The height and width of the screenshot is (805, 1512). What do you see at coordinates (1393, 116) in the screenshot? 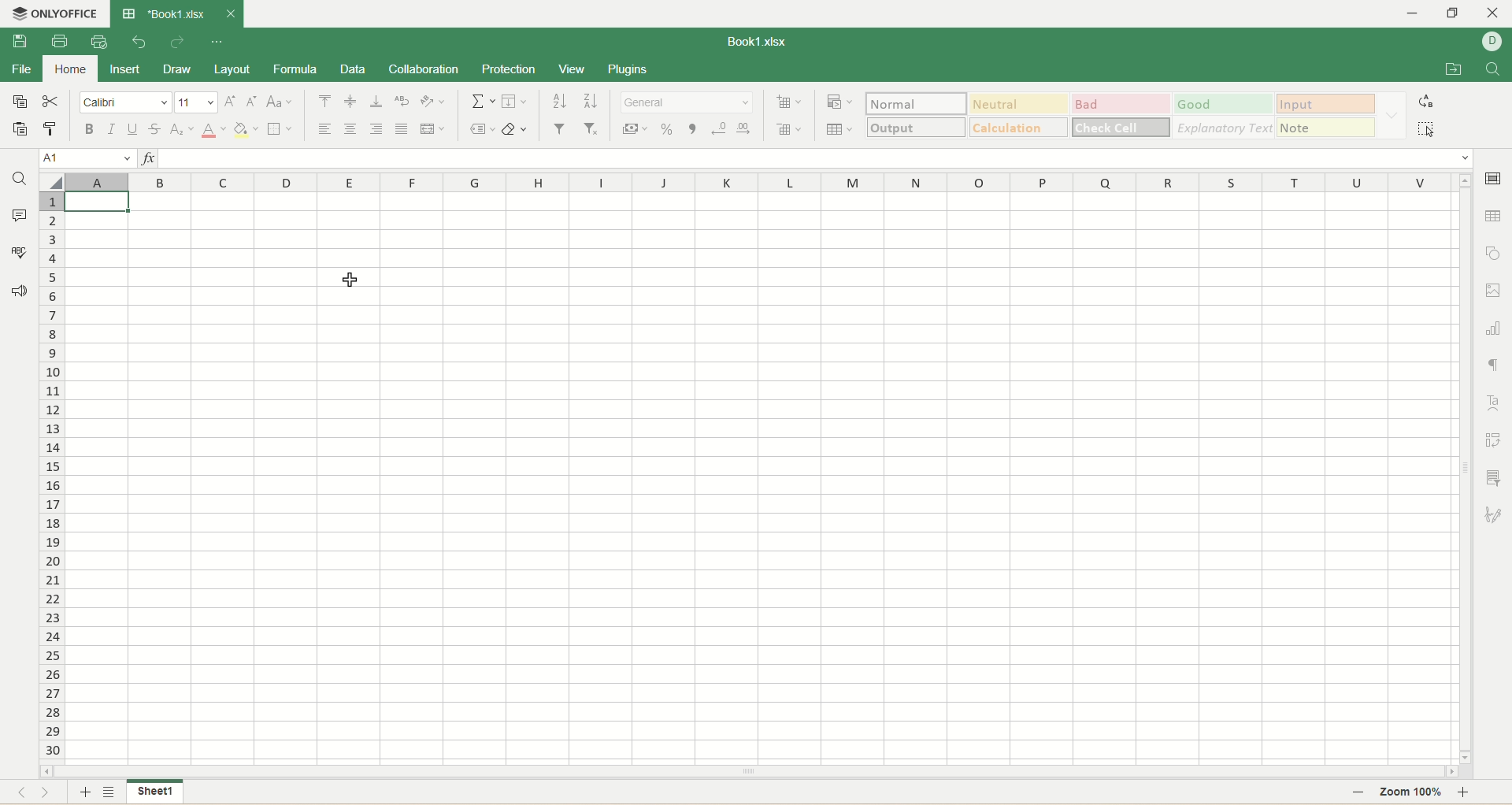
I see `formatting options` at bounding box center [1393, 116].